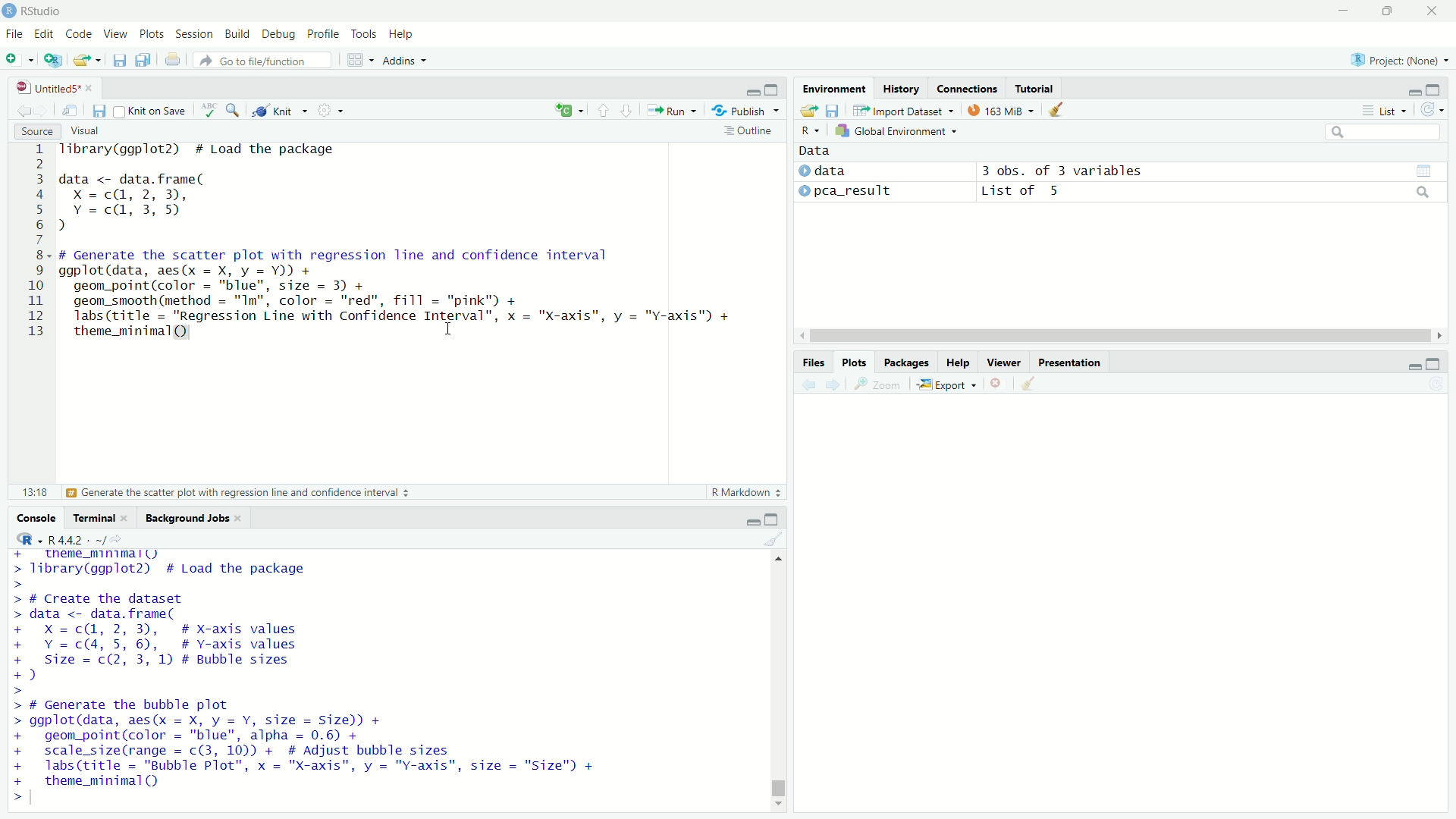 The width and height of the screenshot is (1456, 819). I want to click on Session, so click(193, 34).